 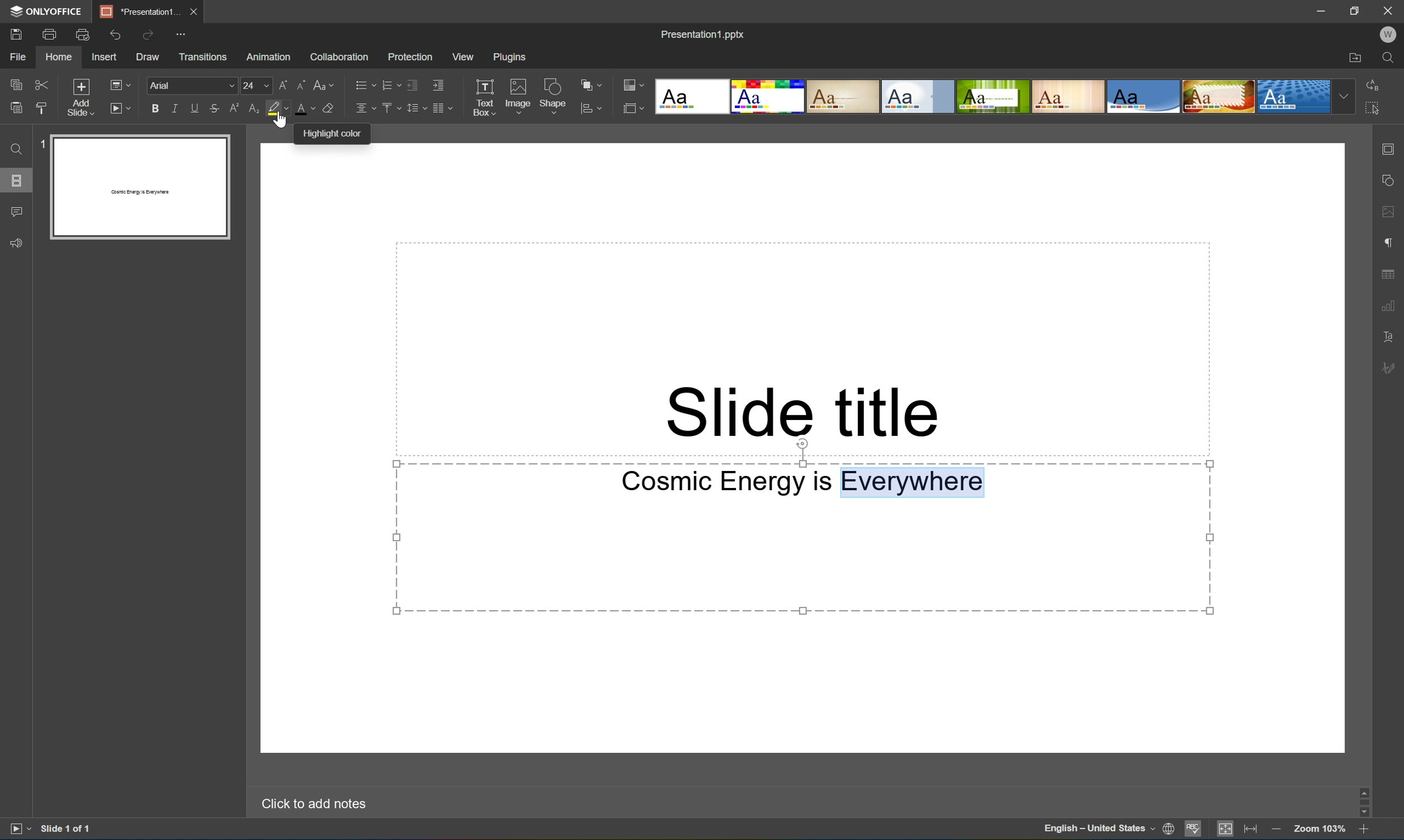 I want to click on Decrement font size, so click(x=302, y=83).